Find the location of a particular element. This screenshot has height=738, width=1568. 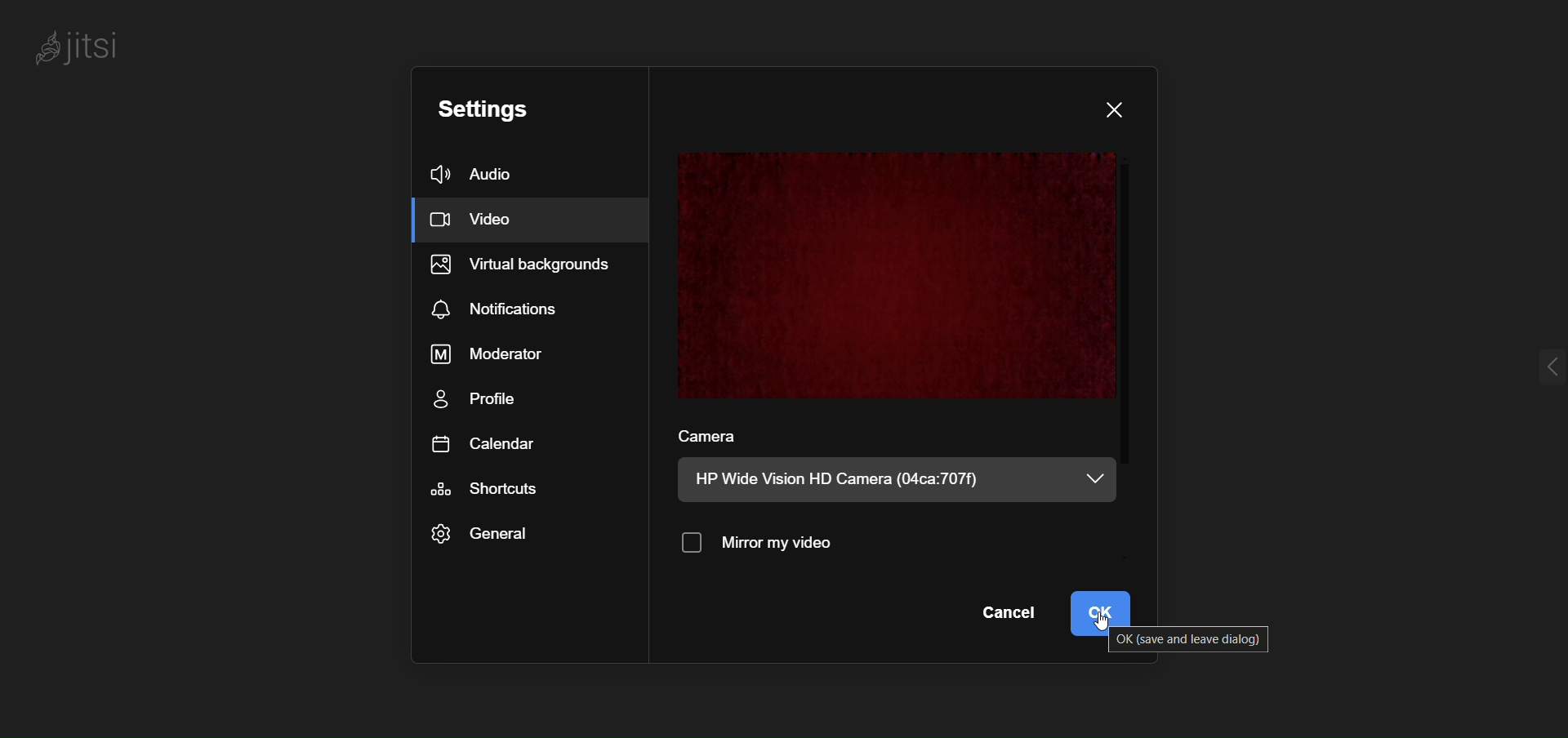

preview is located at coordinates (900, 275).